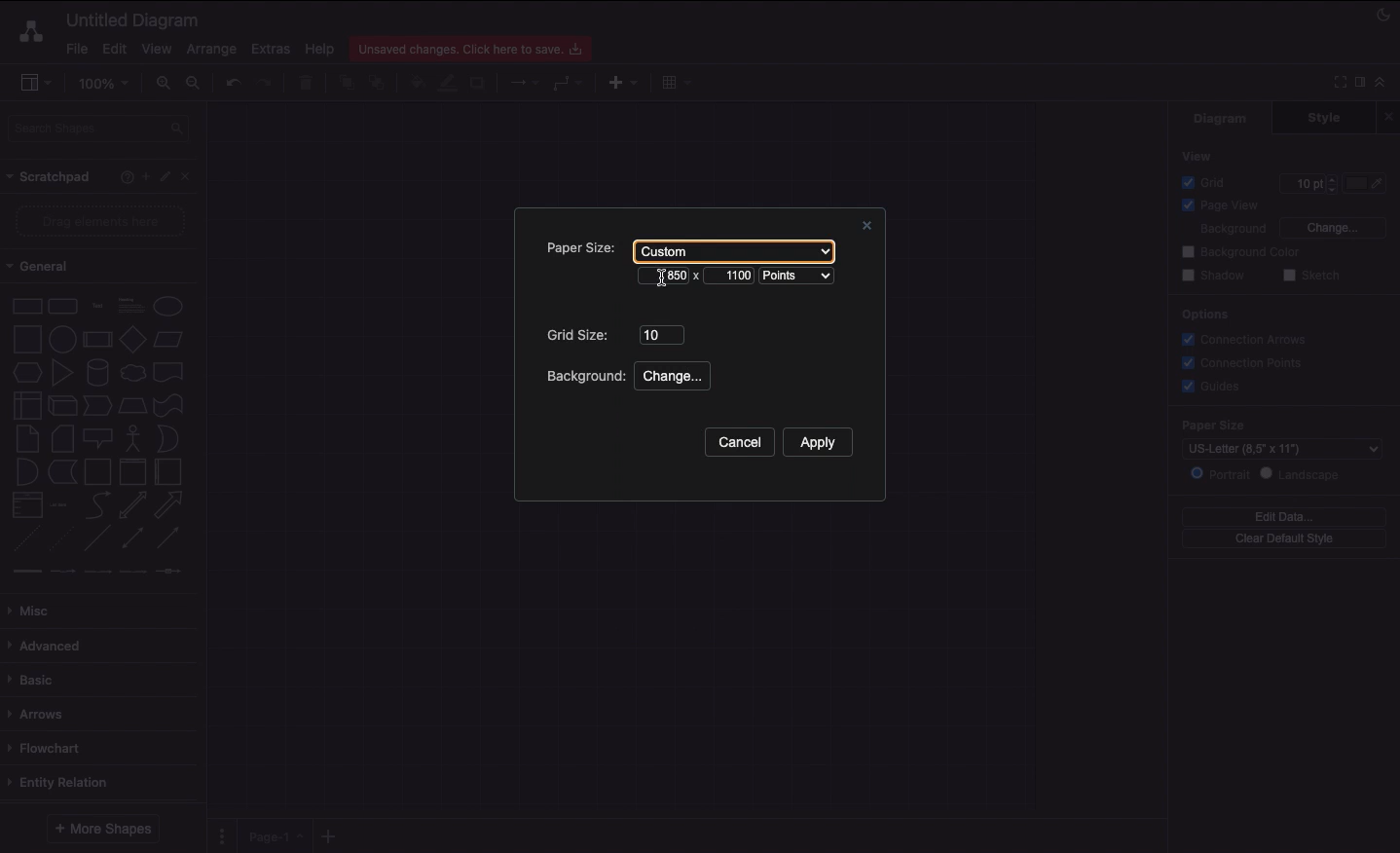  I want to click on Connection , so click(525, 83).